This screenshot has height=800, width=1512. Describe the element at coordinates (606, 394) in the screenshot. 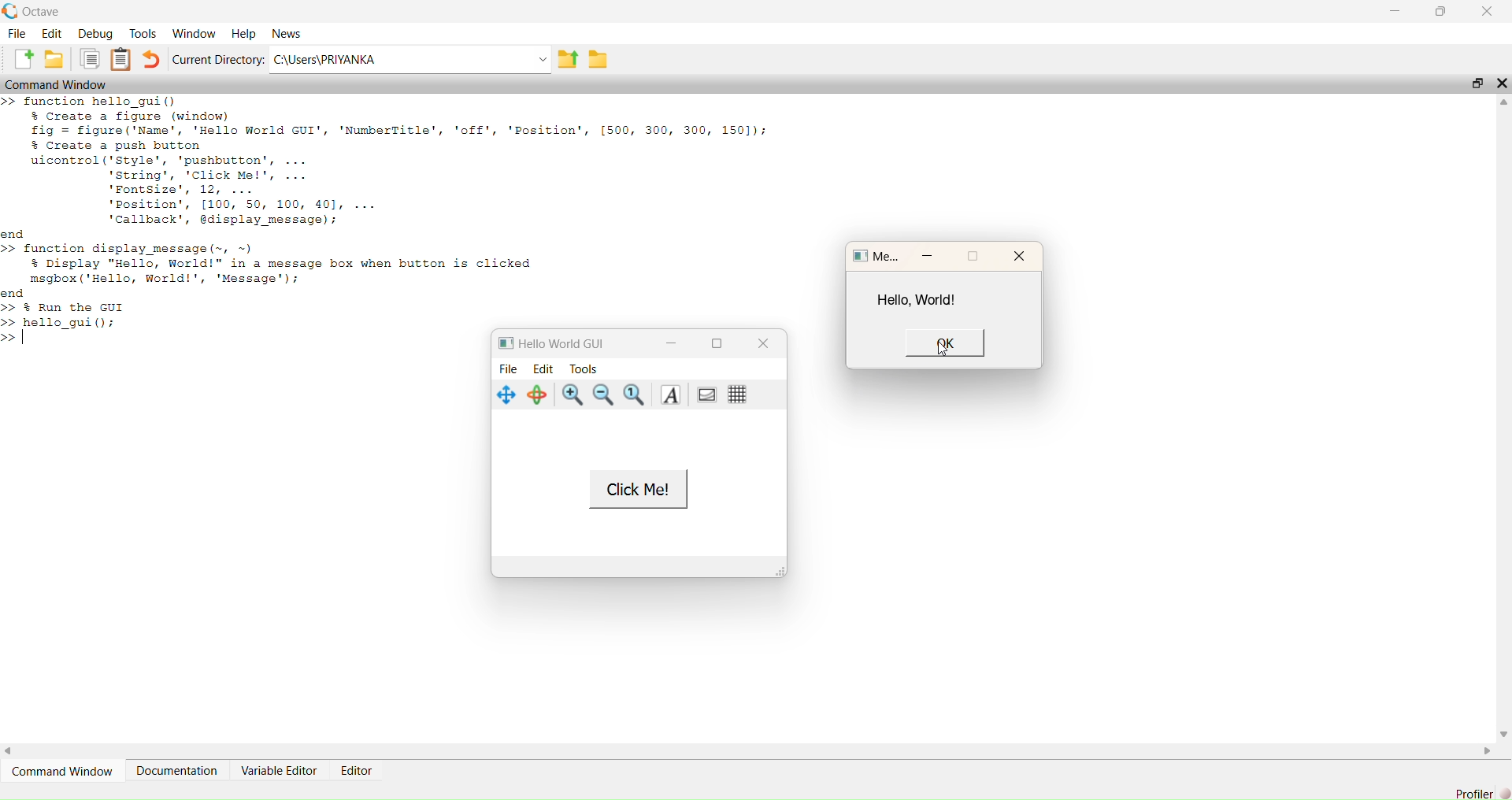

I see `zoom out` at that location.